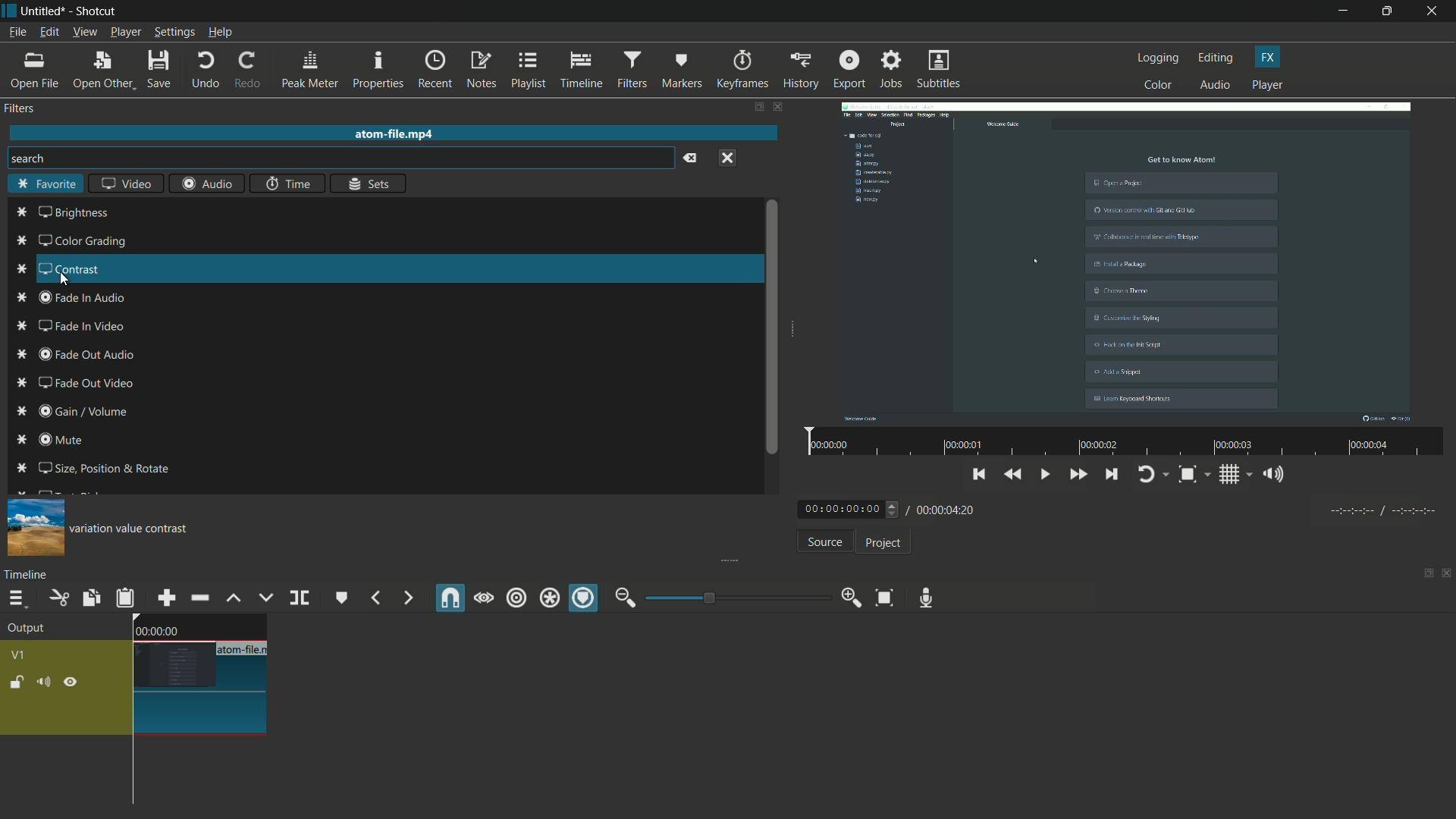  I want to click on show tabs, so click(1423, 575).